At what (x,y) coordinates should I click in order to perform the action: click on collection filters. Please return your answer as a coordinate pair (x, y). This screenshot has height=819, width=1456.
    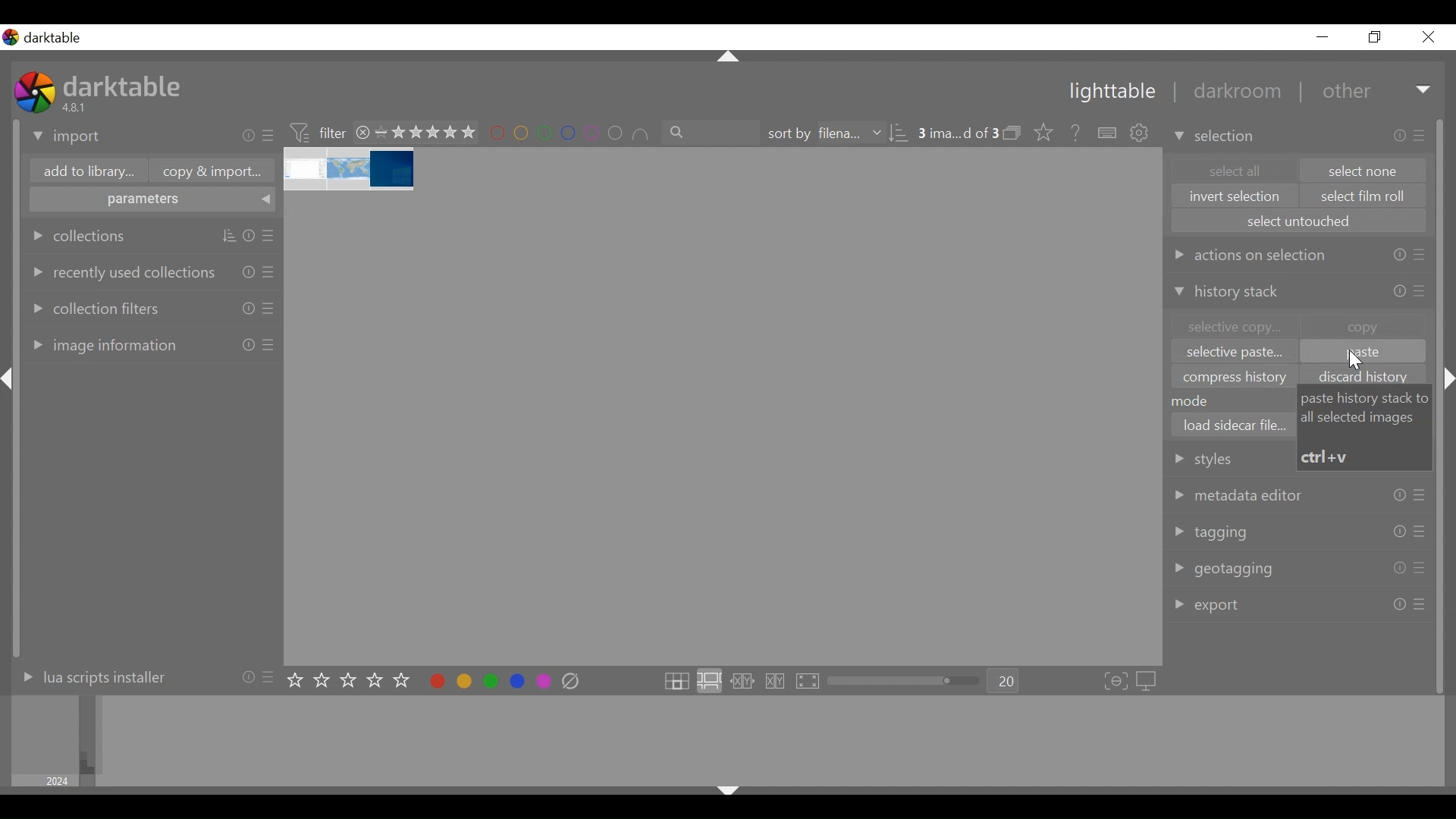
    Looking at the image, I should click on (94, 306).